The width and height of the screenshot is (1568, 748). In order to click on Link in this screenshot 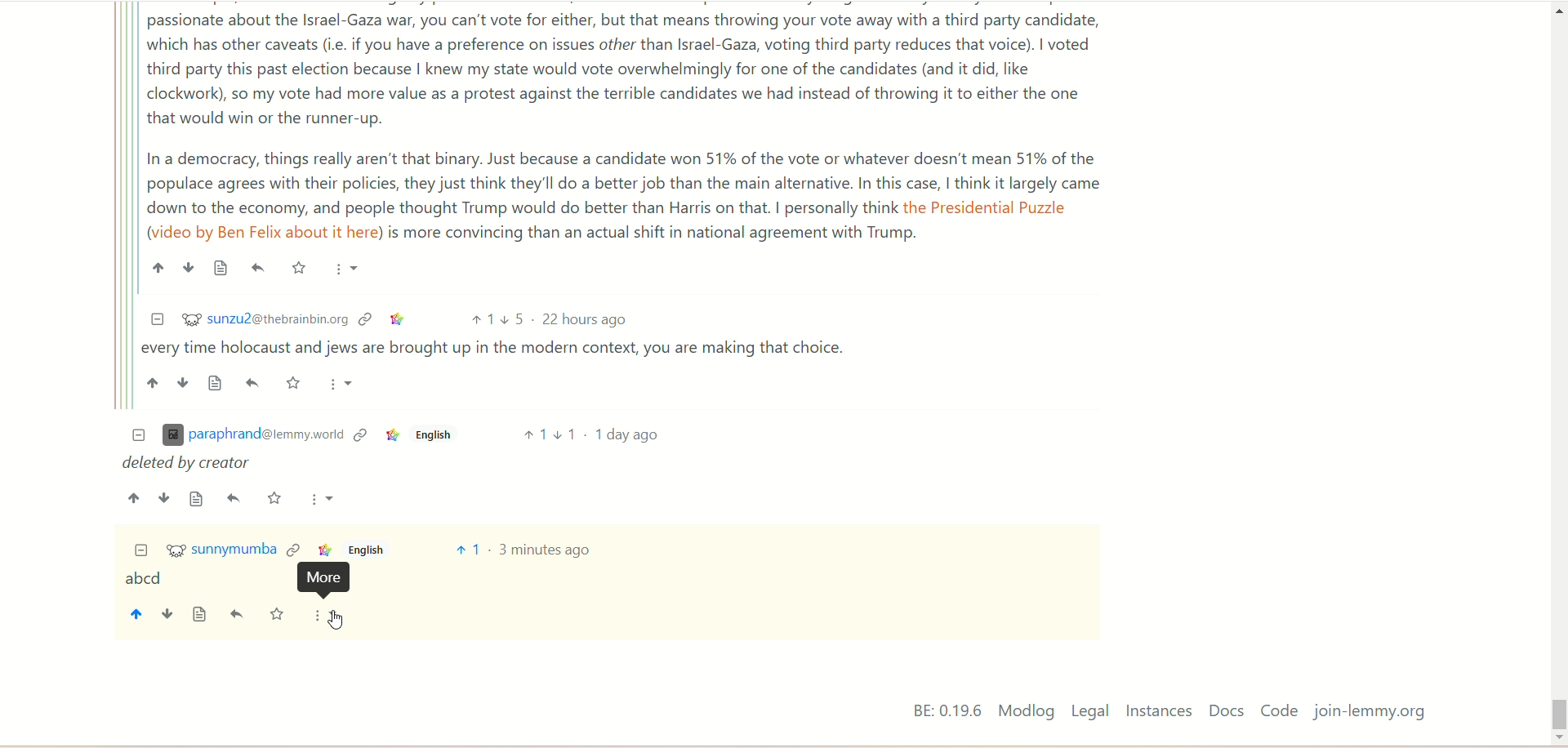, I will do `click(323, 550)`.